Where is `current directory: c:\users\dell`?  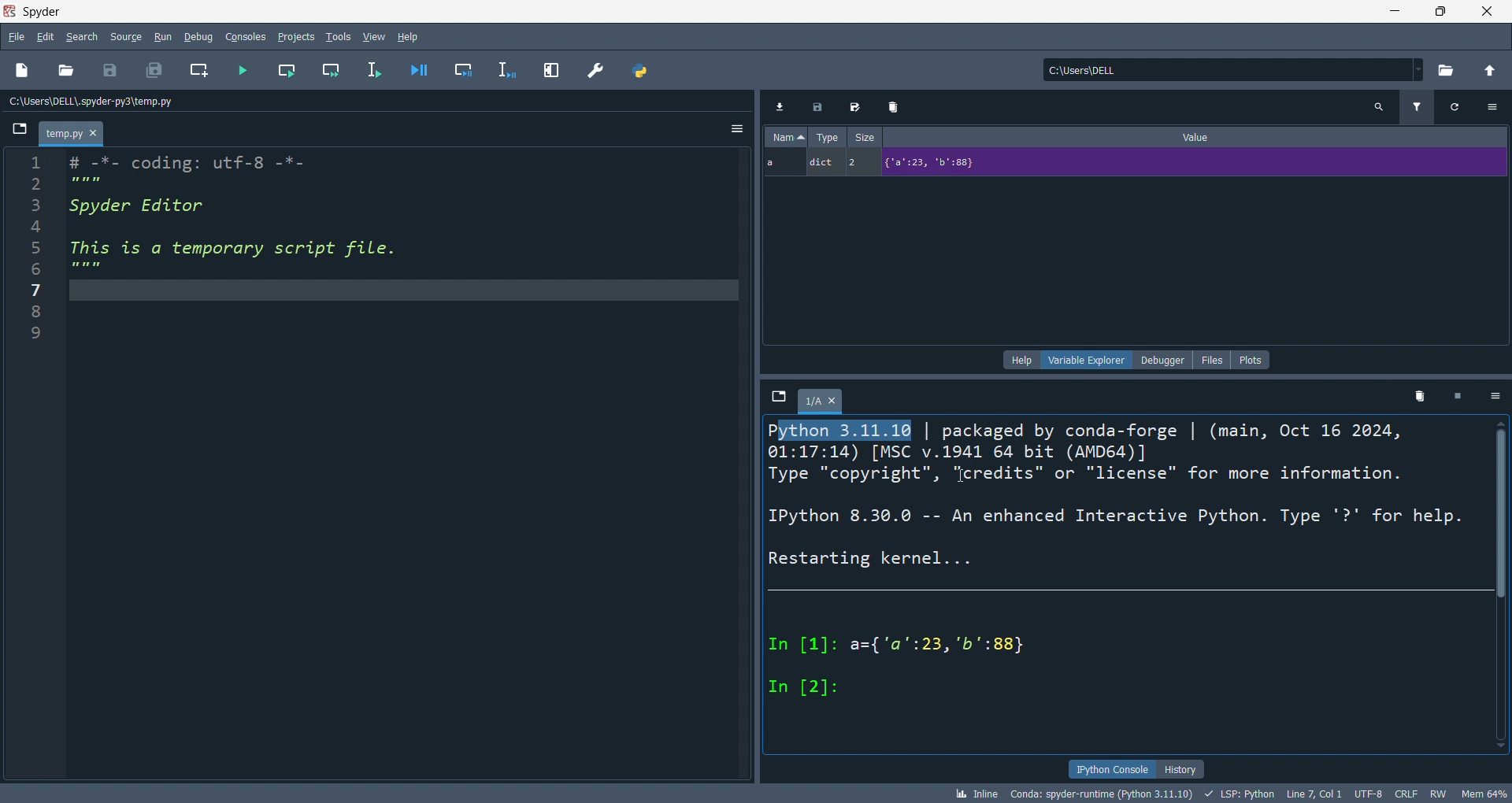
current directory: c:\users\dell is located at coordinates (1236, 71).